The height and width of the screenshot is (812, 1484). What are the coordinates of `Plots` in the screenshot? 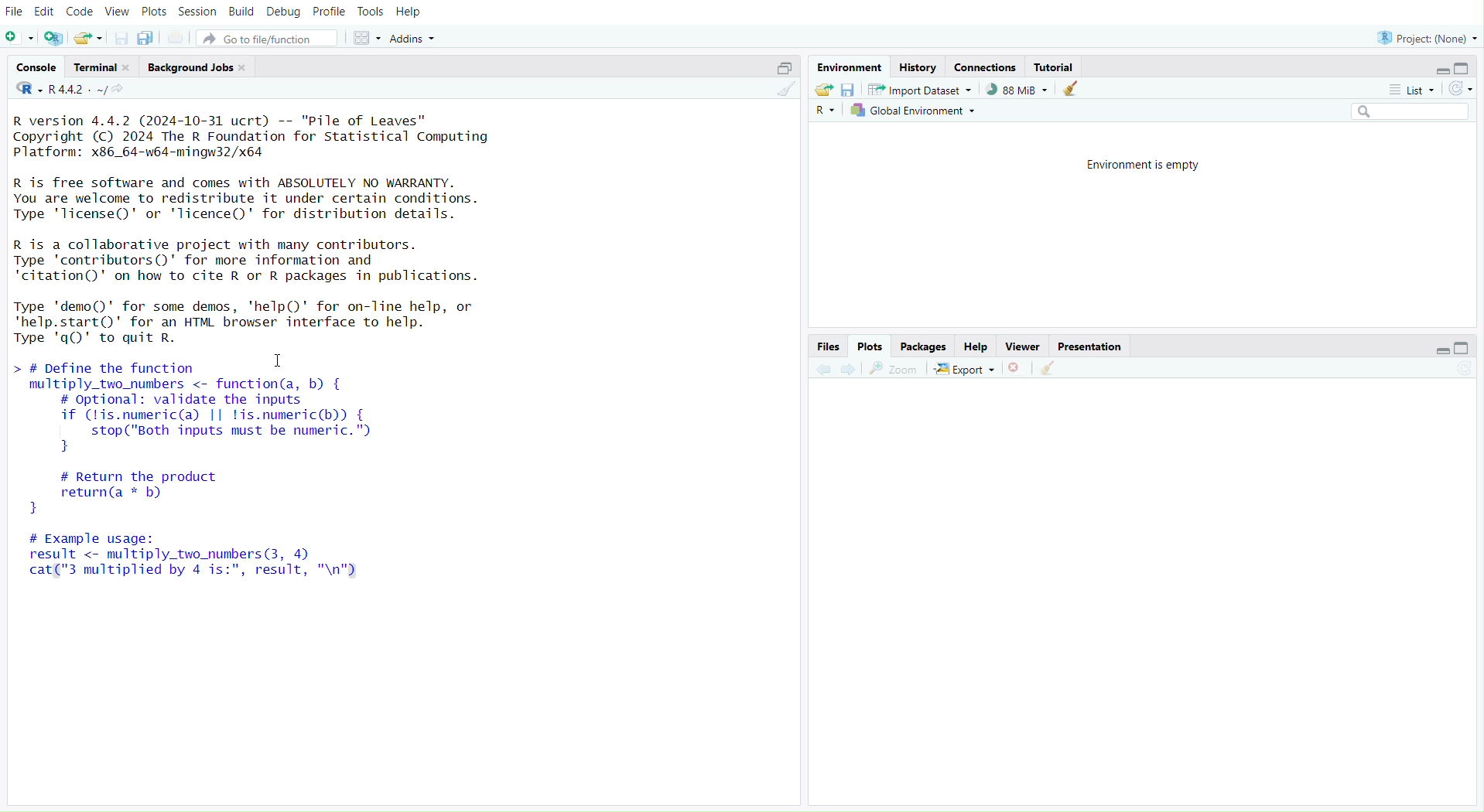 It's located at (152, 12).